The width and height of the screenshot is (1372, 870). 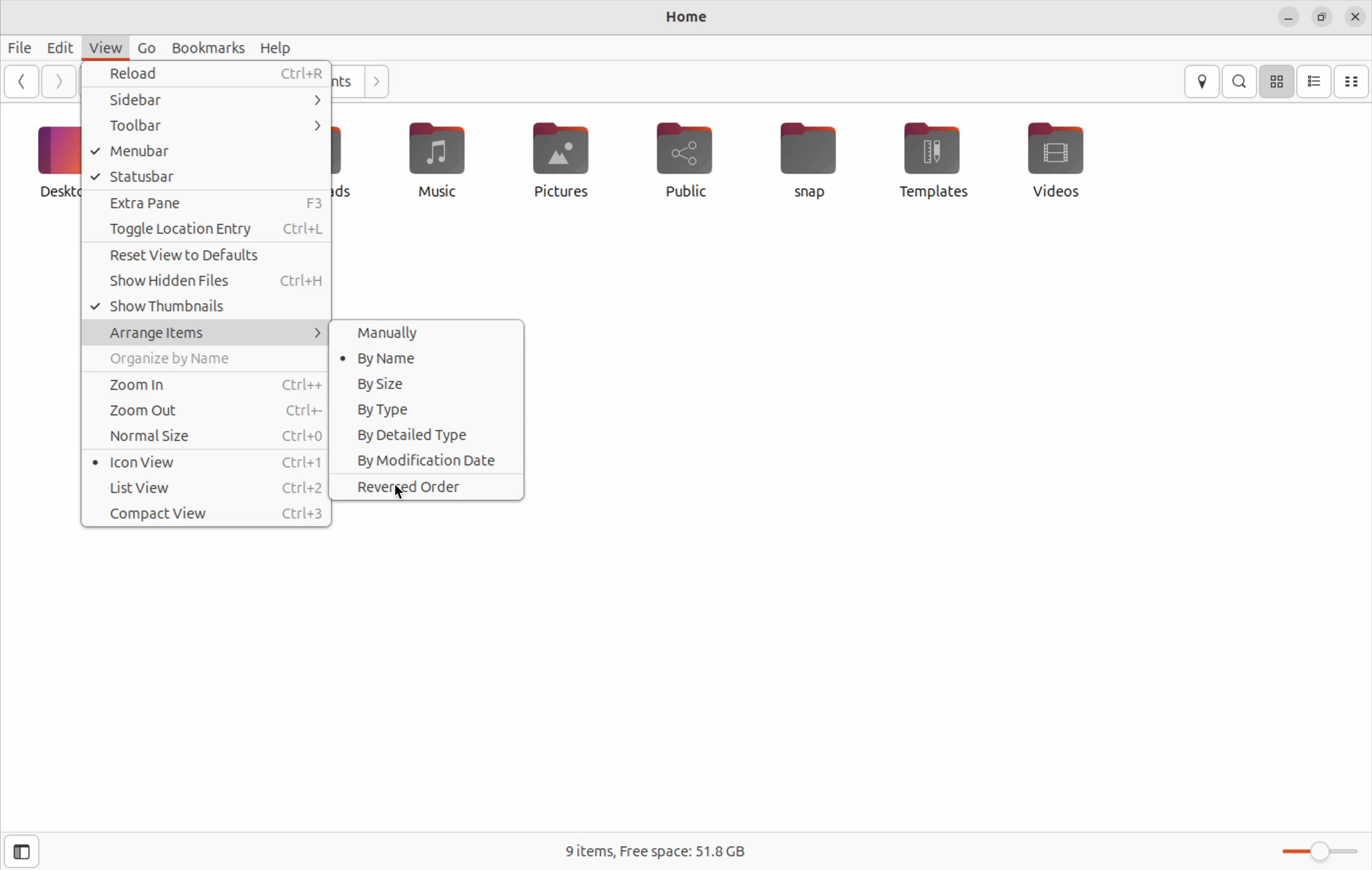 What do you see at coordinates (58, 48) in the screenshot?
I see `Edit` at bounding box center [58, 48].